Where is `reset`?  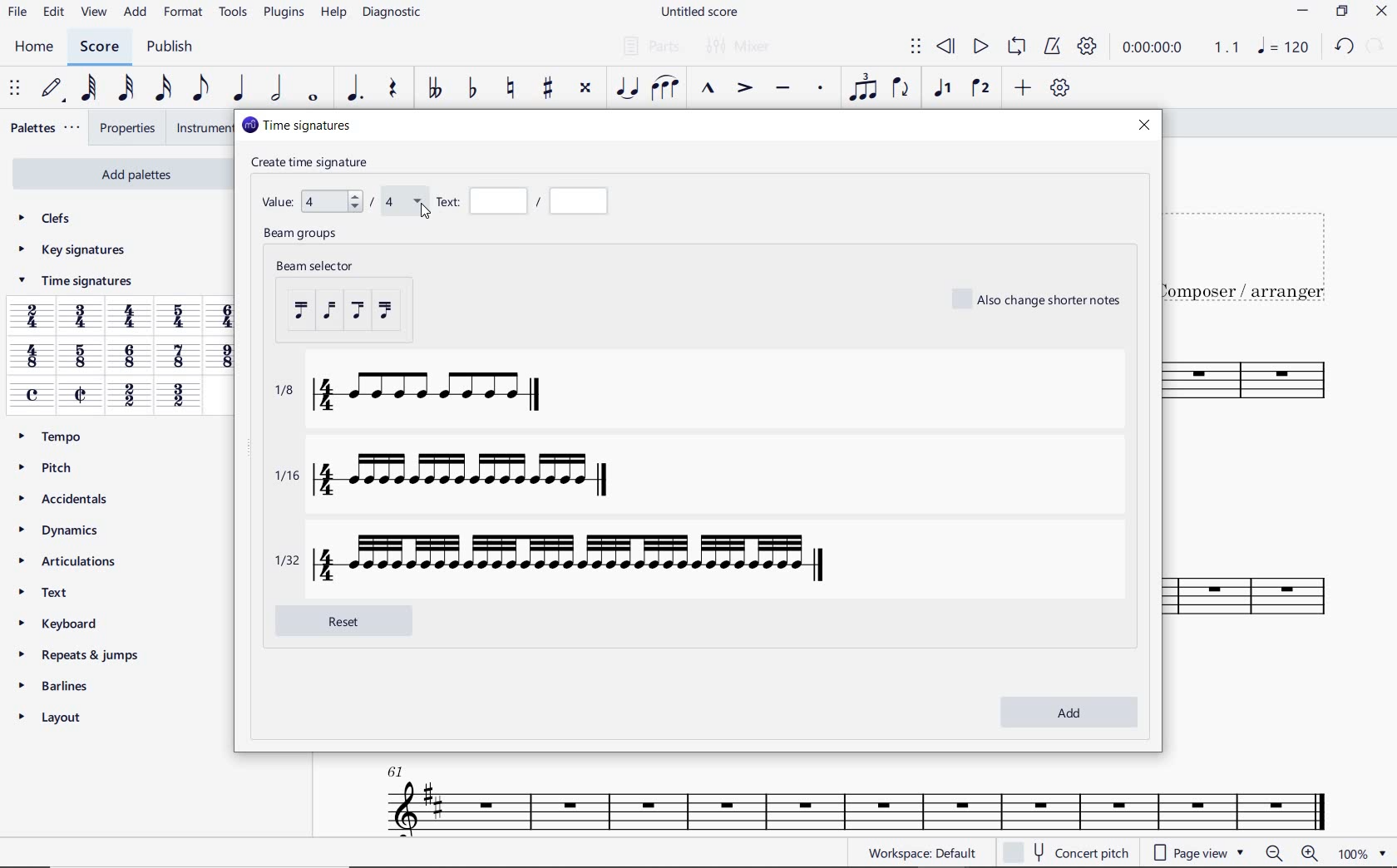
reset is located at coordinates (358, 619).